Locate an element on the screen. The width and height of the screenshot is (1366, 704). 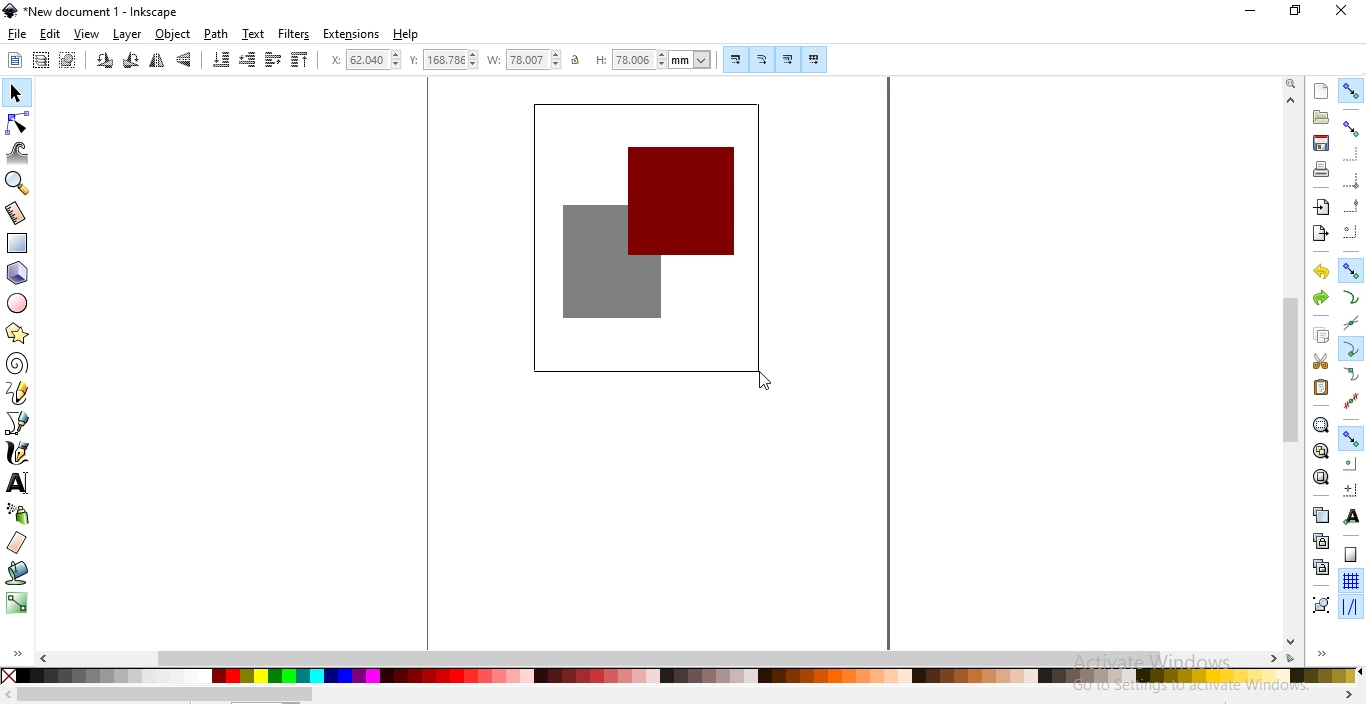
snap nodes, paths and headlines is located at coordinates (1351, 270).